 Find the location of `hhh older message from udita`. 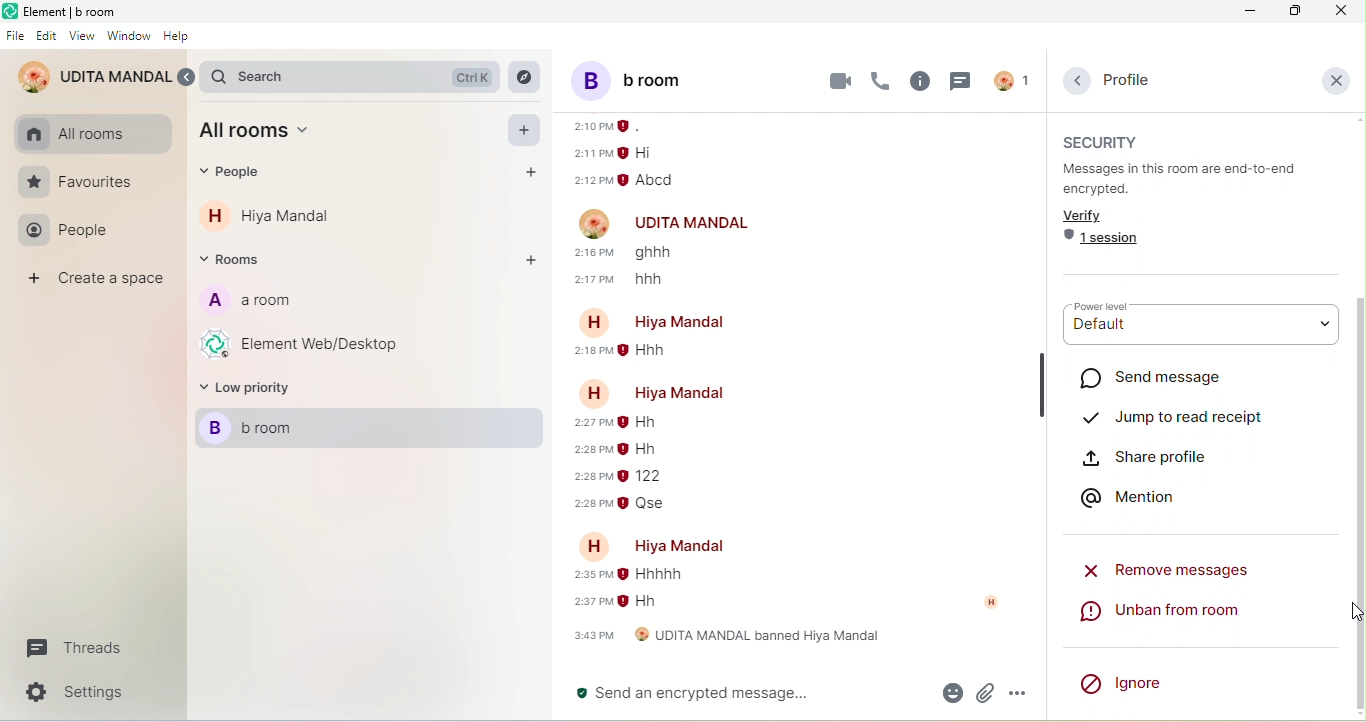

hhh older message from udita is located at coordinates (660, 281).